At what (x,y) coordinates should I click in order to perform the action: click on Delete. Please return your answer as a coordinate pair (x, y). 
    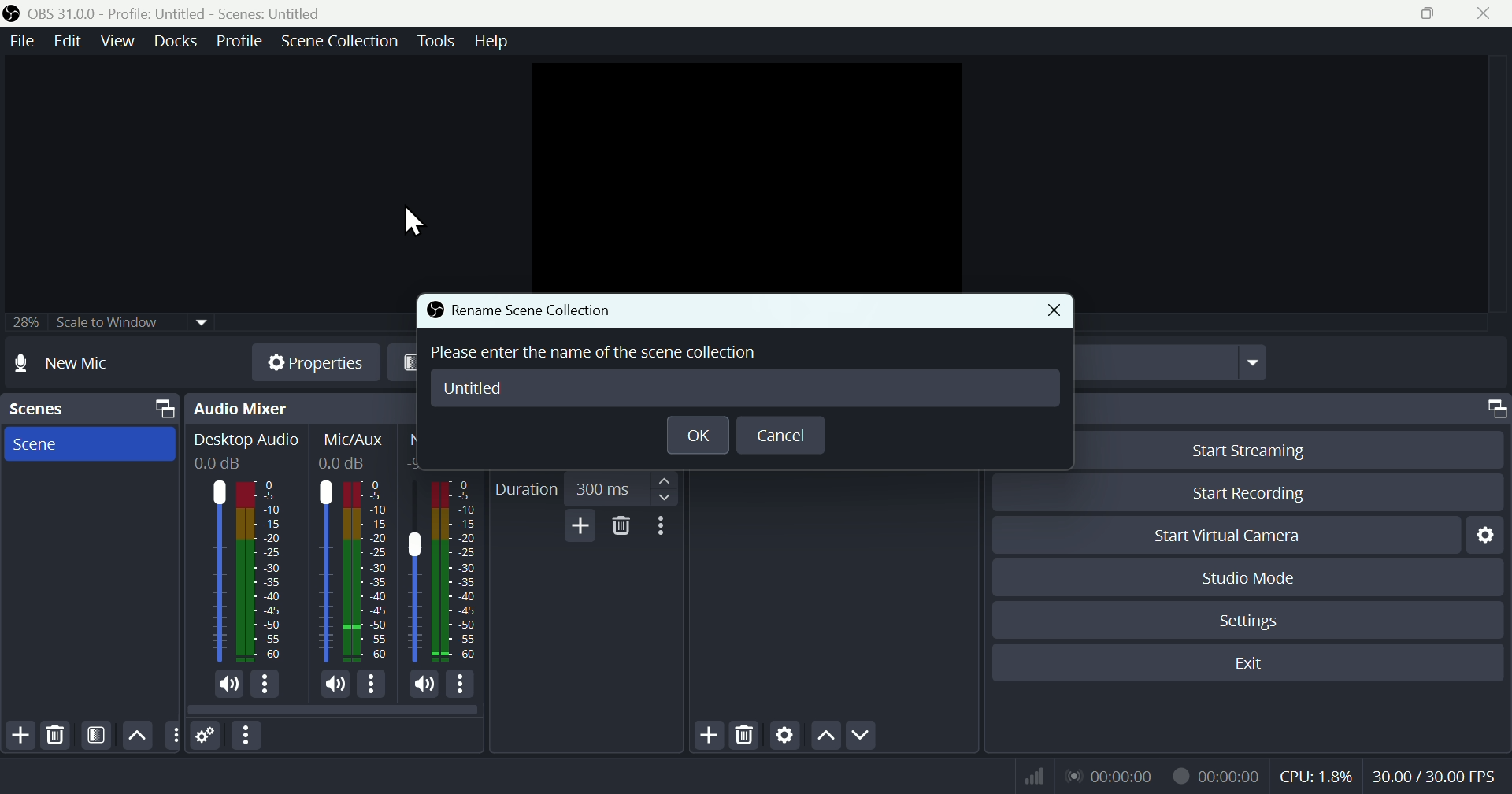
    Looking at the image, I should click on (62, 735).